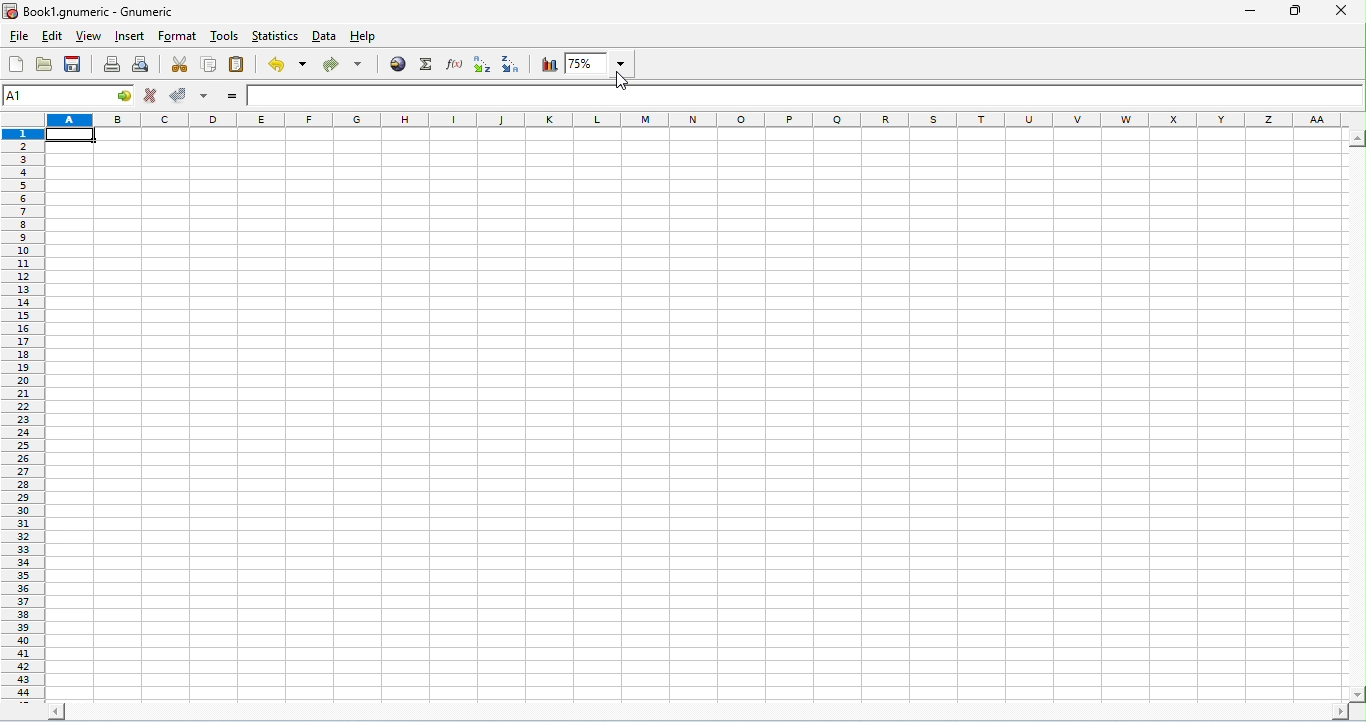 The image size is (1366, 722). What do you see at coordinates (232, 96) in the screenshot?
I see `=` at bounding box center [232, 96].